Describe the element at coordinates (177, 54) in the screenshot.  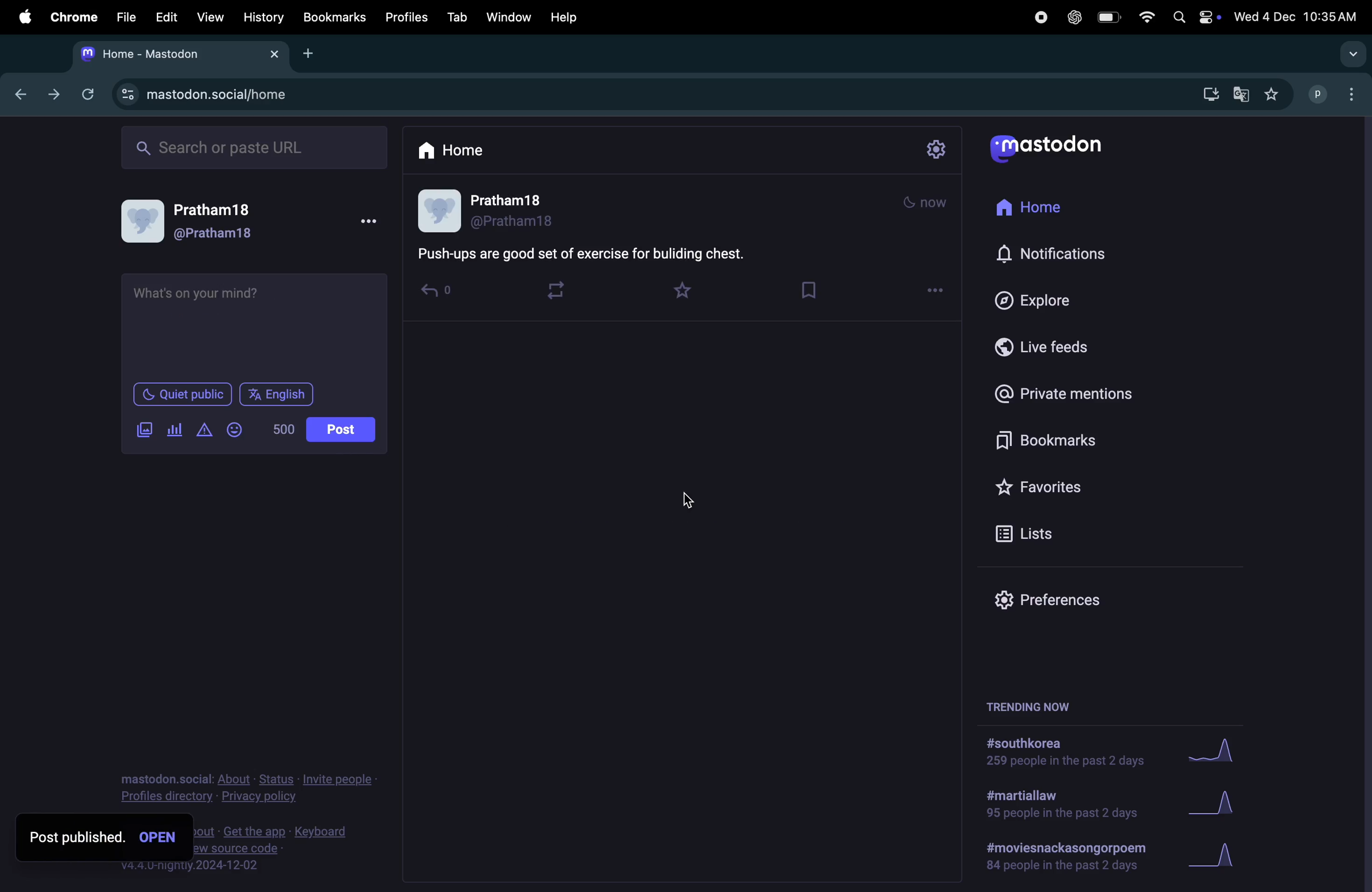
I see `Mastodon tab` at that location.